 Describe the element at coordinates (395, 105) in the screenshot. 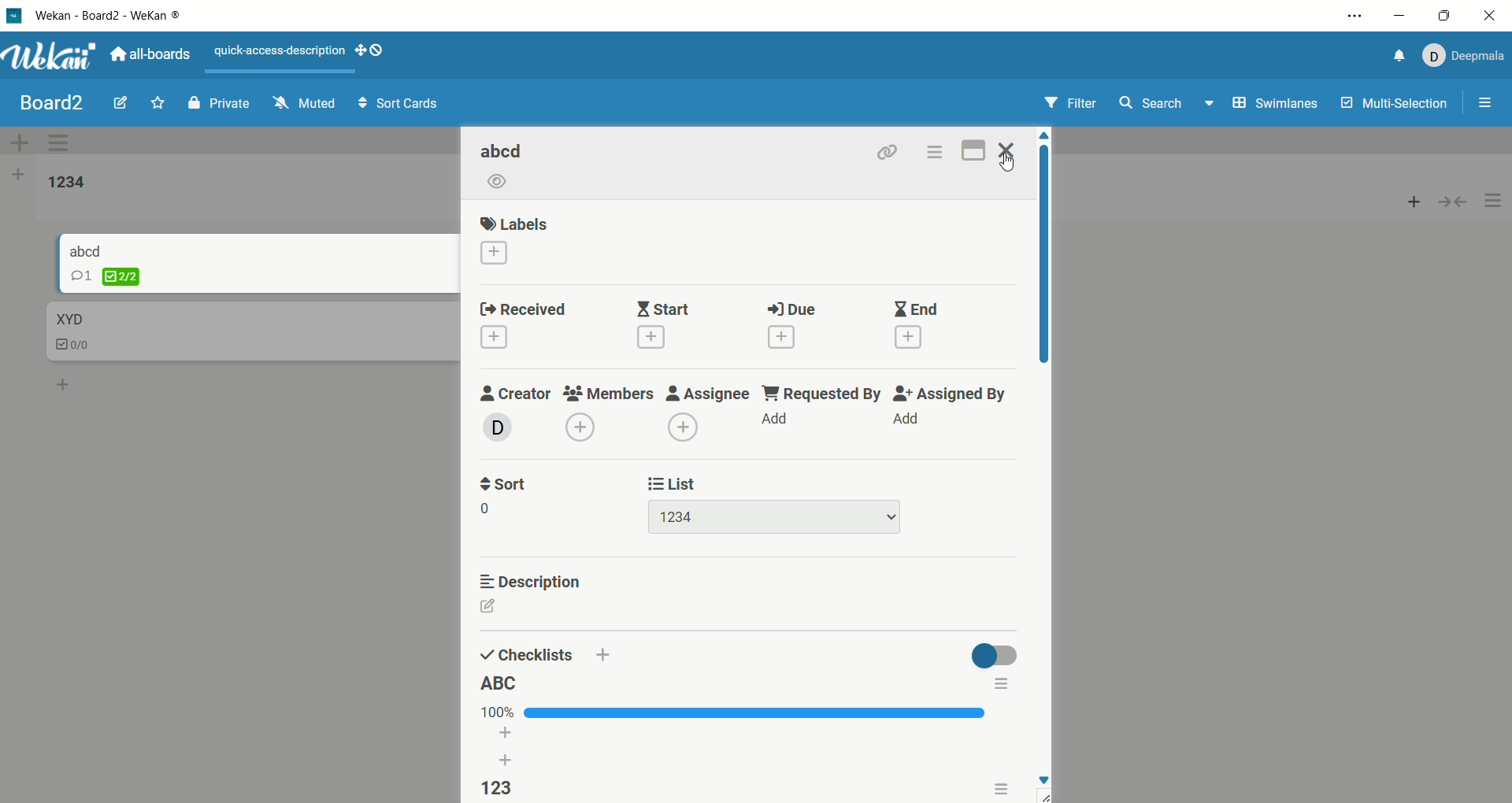

I see `sort cards` at that location.